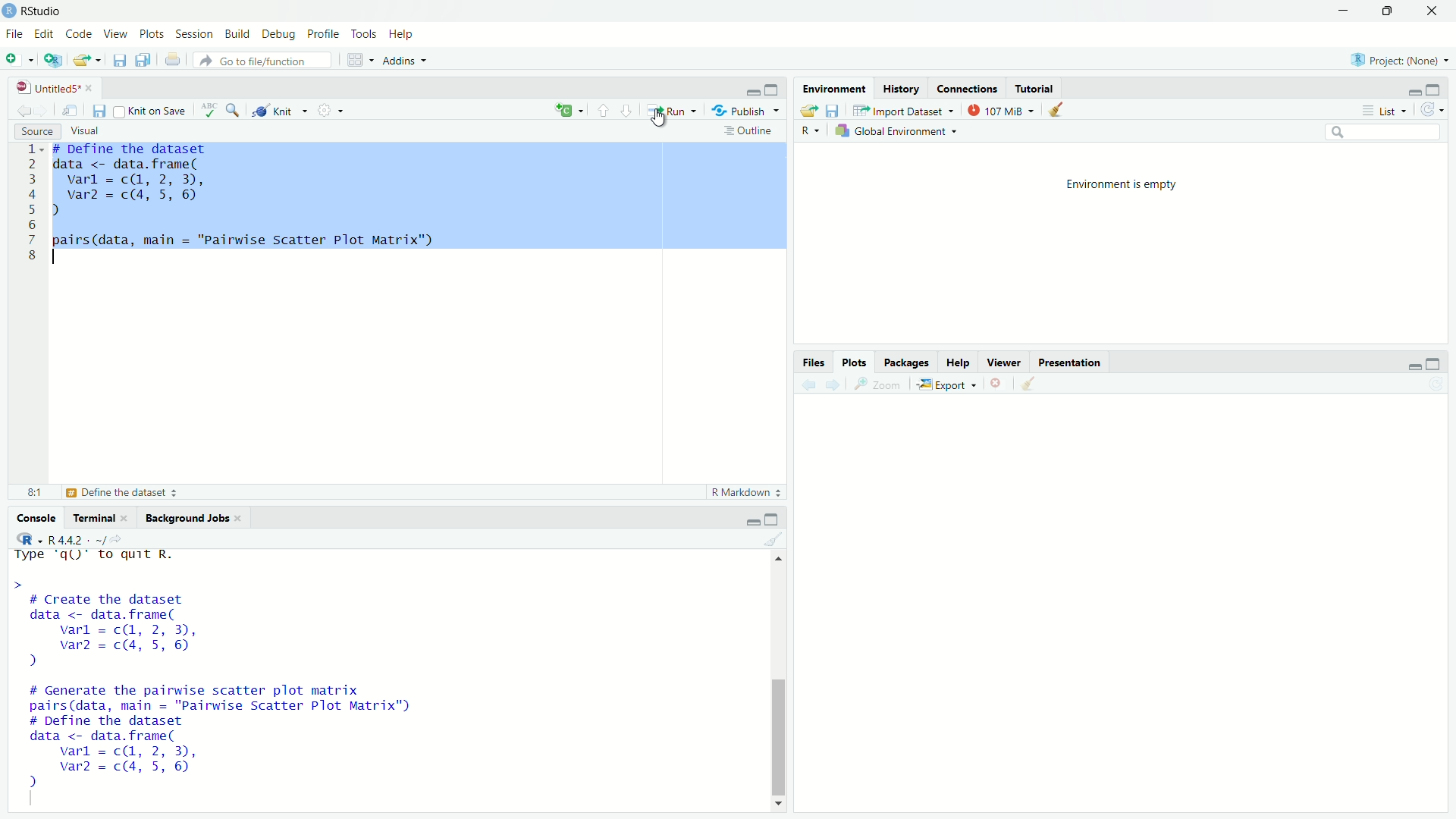 This screenshot has width=1456, height=819. Describe the element at coordinates (567, 111) in the screenshot. I see `C` at that location.